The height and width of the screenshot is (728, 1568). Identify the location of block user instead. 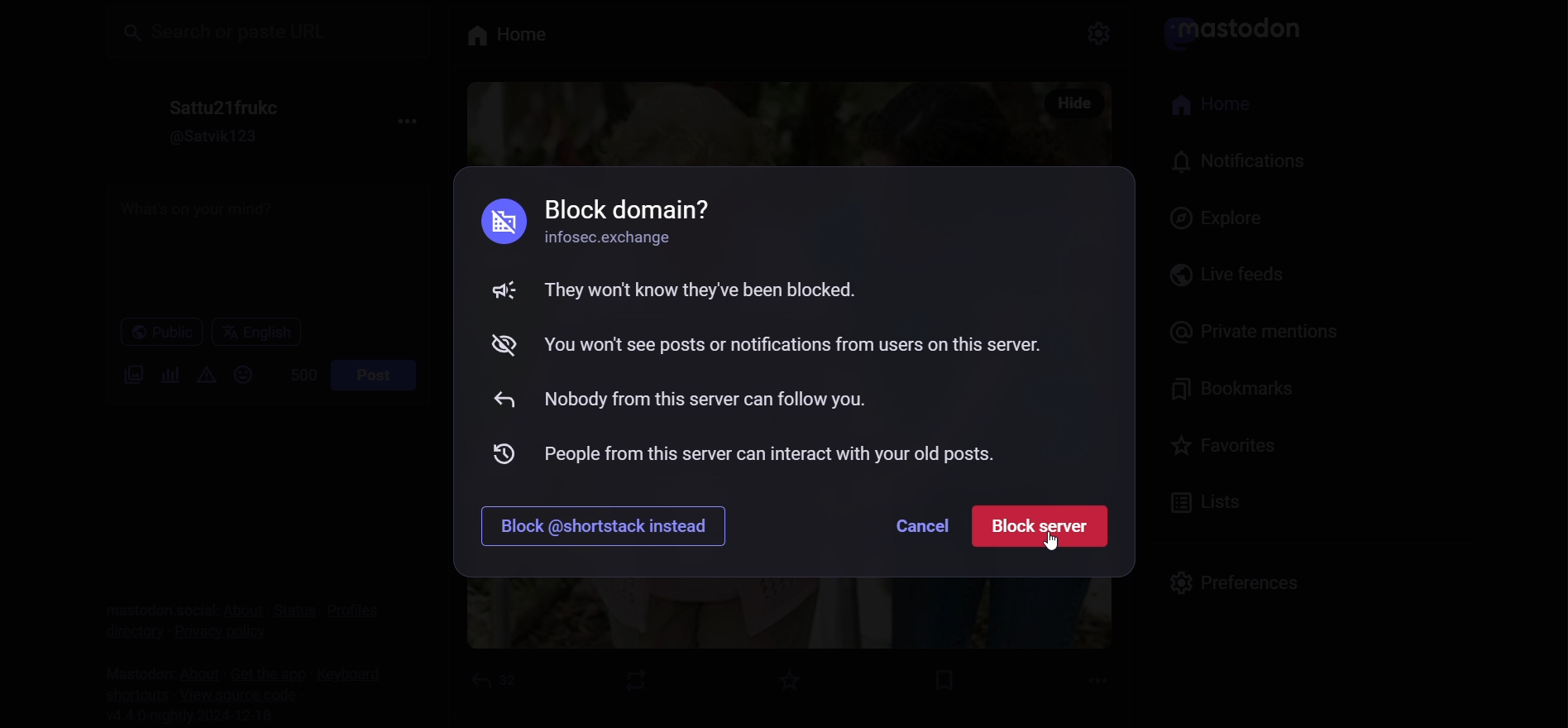
(613, 526).